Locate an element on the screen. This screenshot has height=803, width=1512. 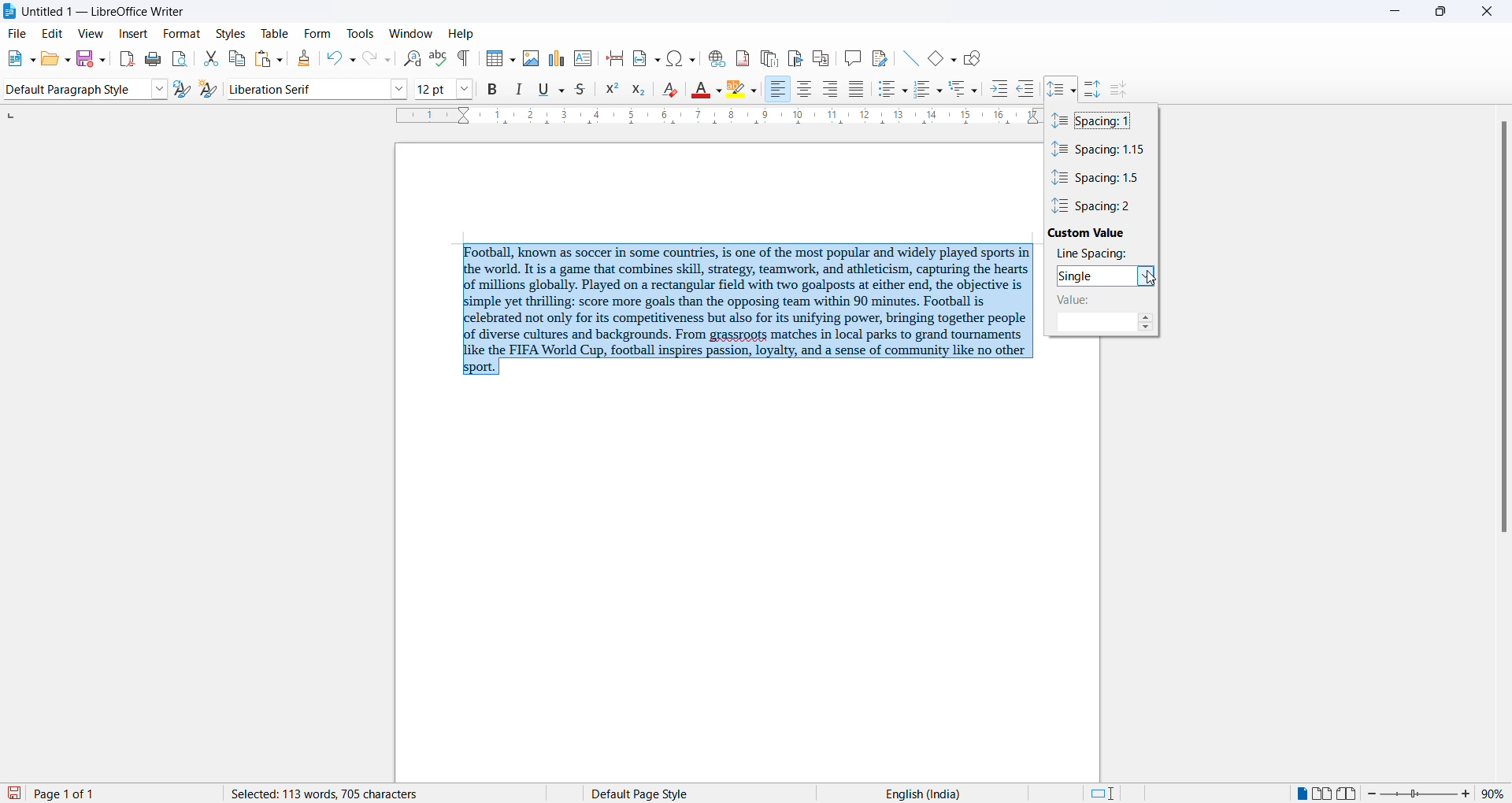
clear direct formatting is located at coordinates (669, 88).